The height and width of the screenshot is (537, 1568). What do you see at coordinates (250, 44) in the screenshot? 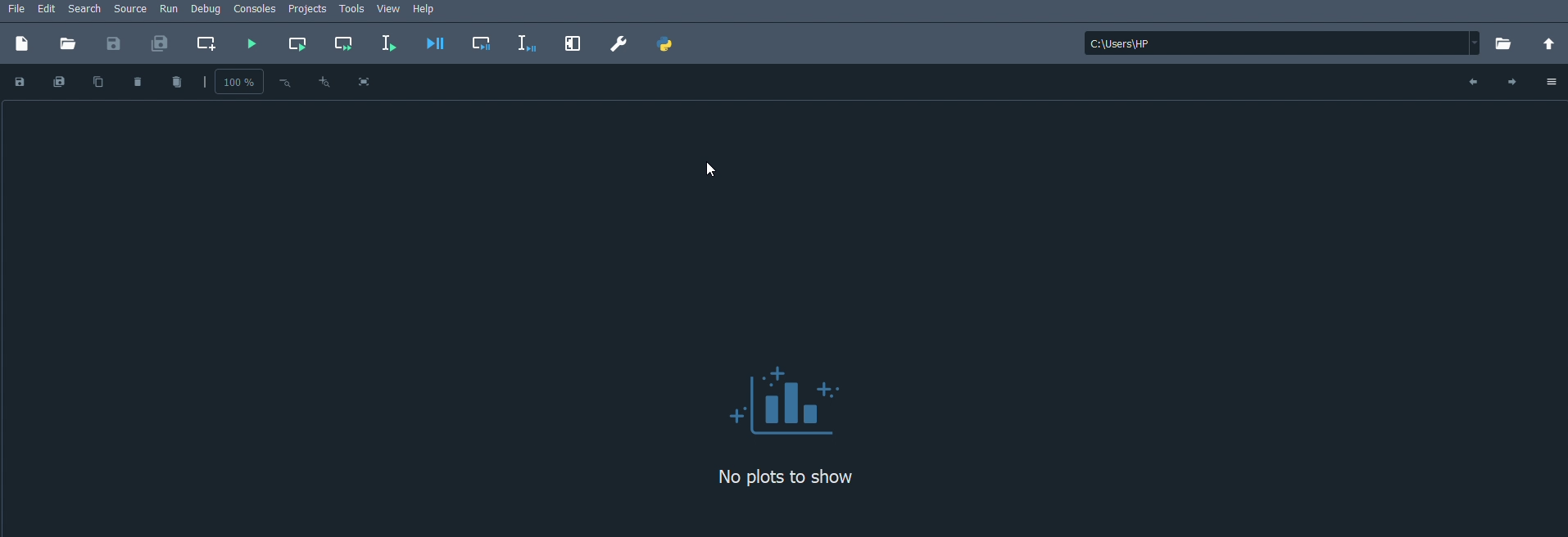
I see `Run file` at bounding box center [250, 44].